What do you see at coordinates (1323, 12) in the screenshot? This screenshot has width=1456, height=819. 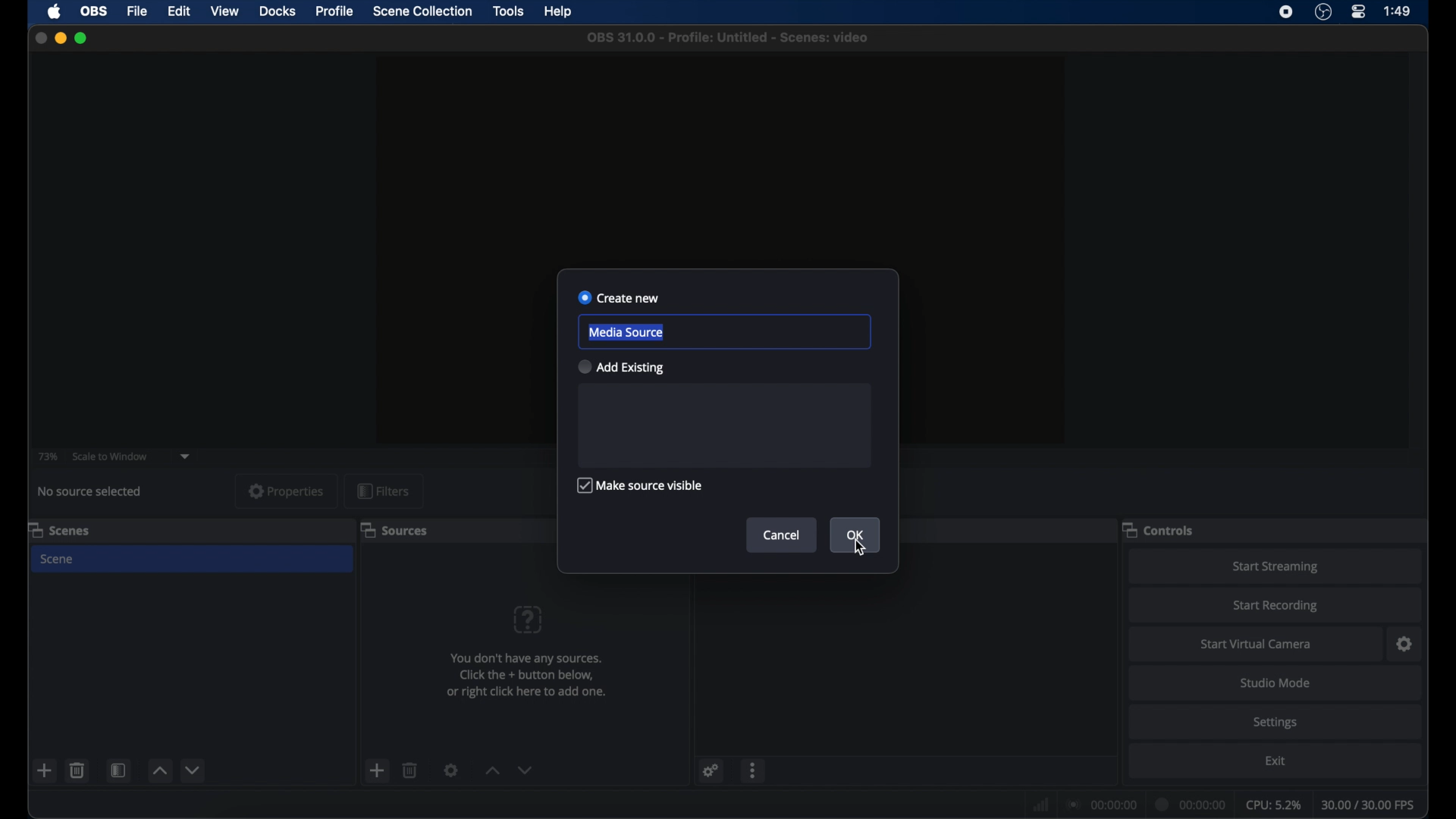 I see `obs studio` at bounding box center [1323, 12].